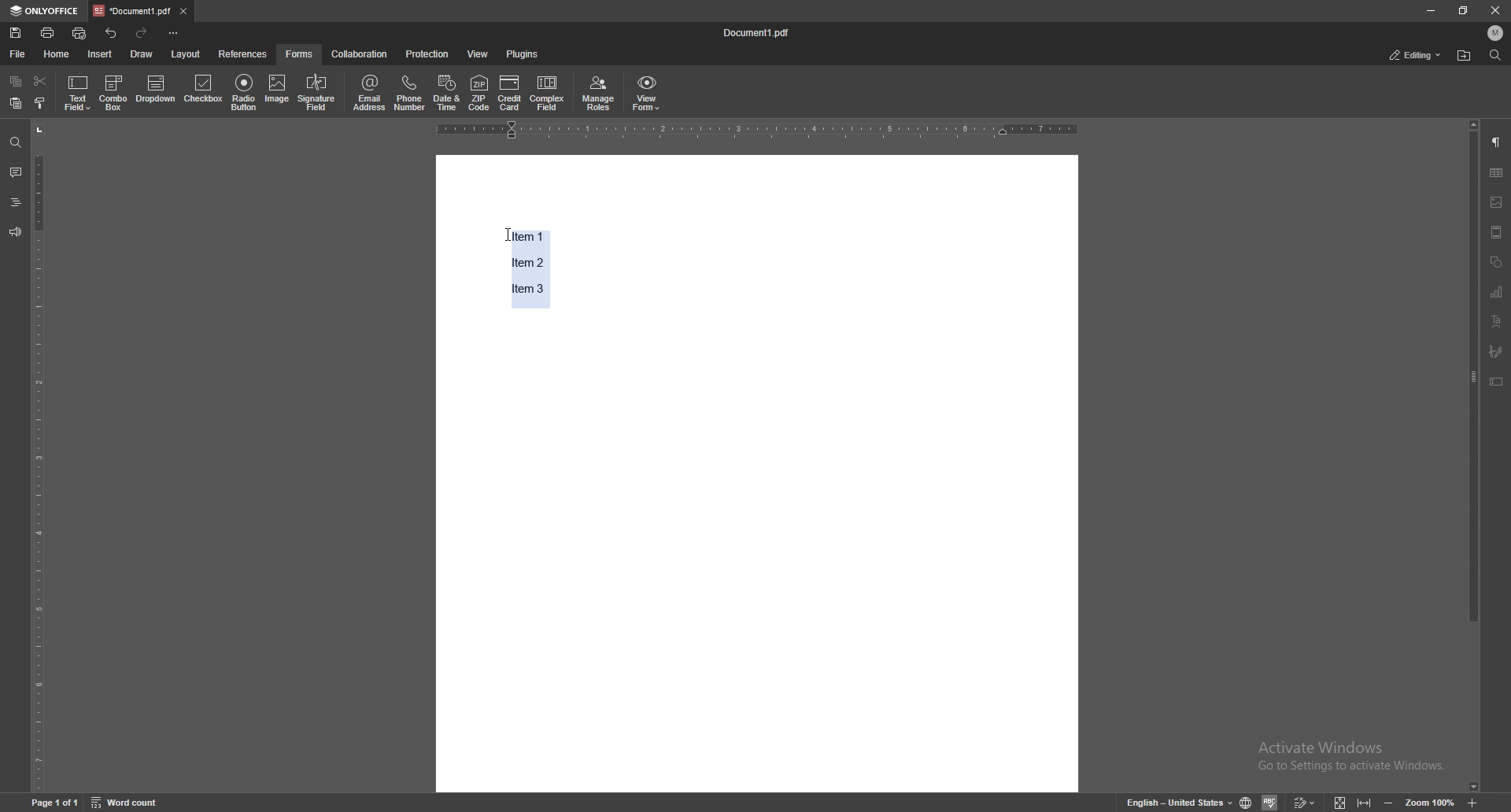  What do you see at coordinates (1269, 802) in the screenshot?
I see `spell check` at bounding box center [1269, 802].